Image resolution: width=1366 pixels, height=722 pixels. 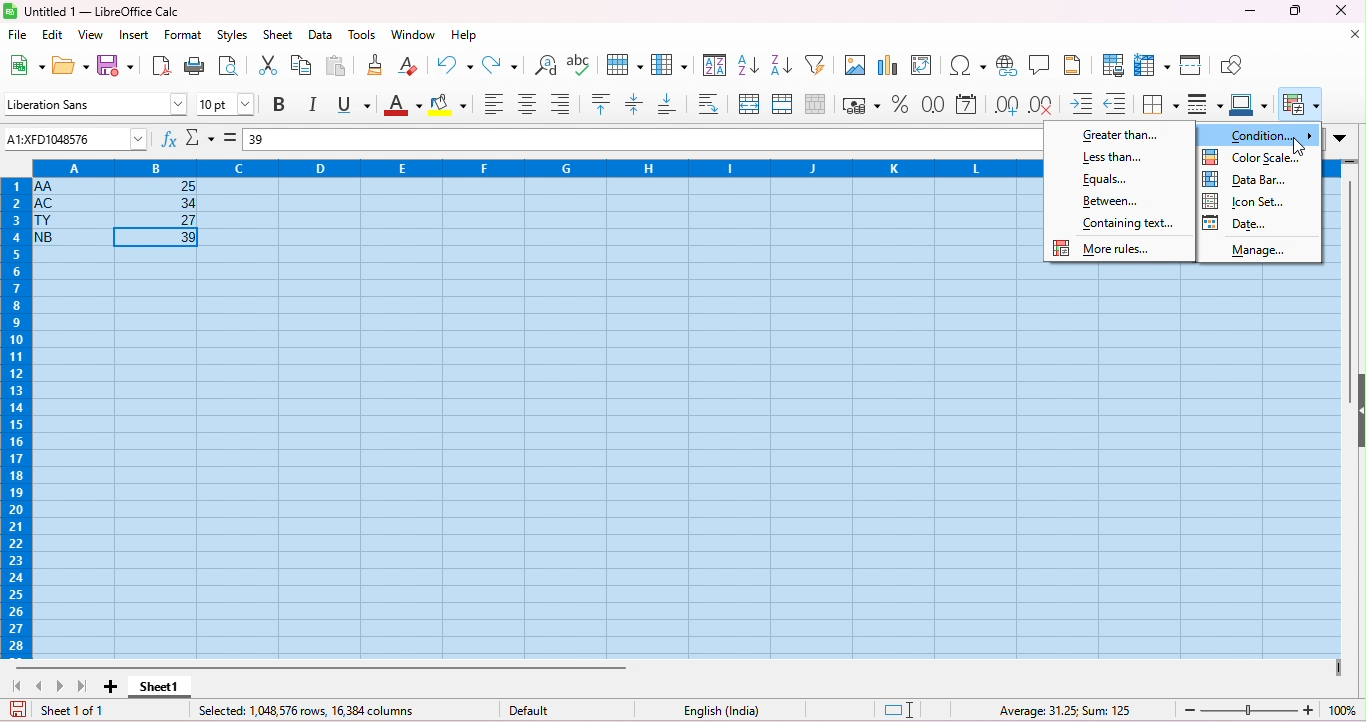 I want to click on zoom, so click(x=1272, y=709).